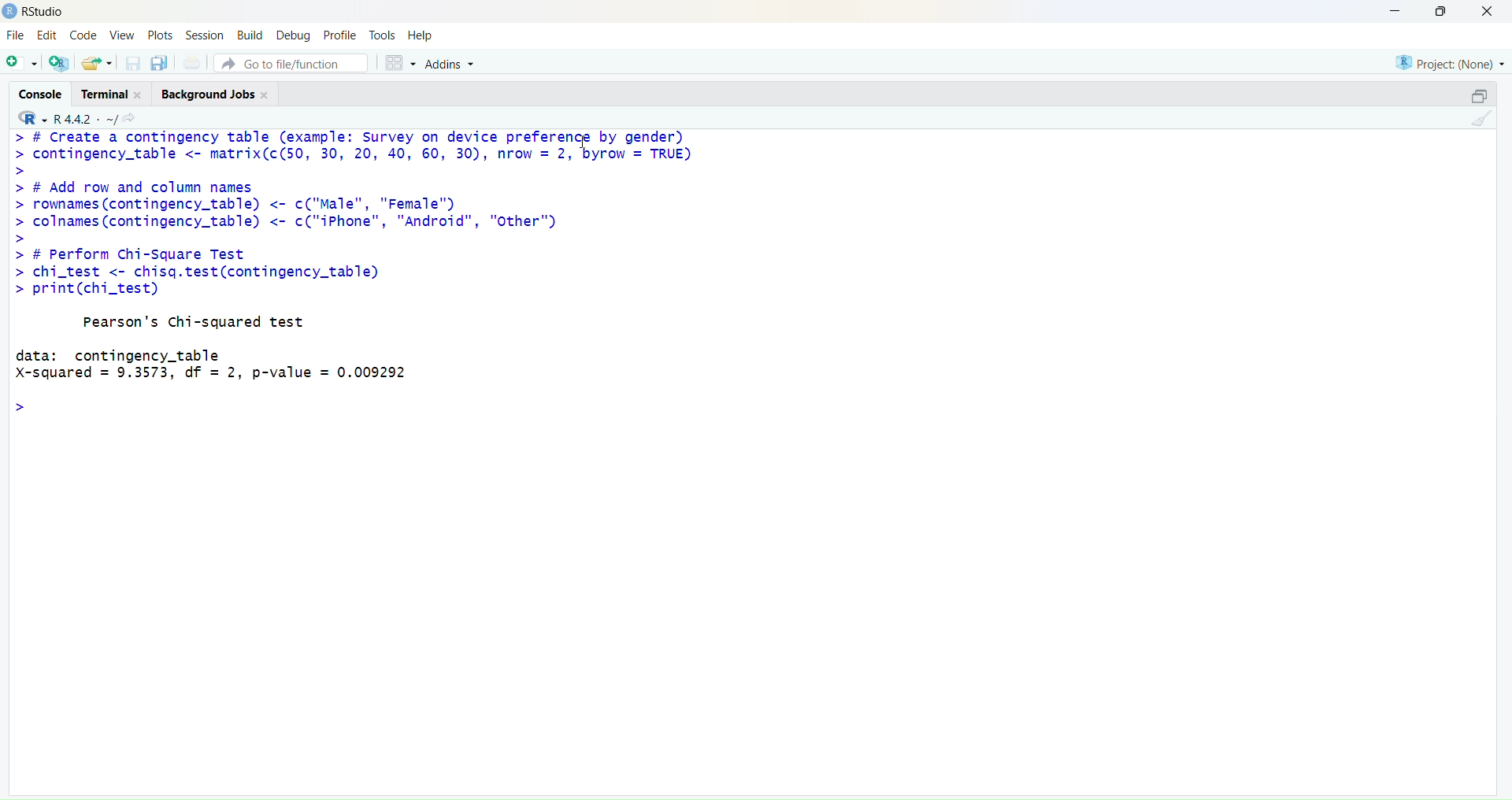  I want to click on go to file/function, so click(291, 64).